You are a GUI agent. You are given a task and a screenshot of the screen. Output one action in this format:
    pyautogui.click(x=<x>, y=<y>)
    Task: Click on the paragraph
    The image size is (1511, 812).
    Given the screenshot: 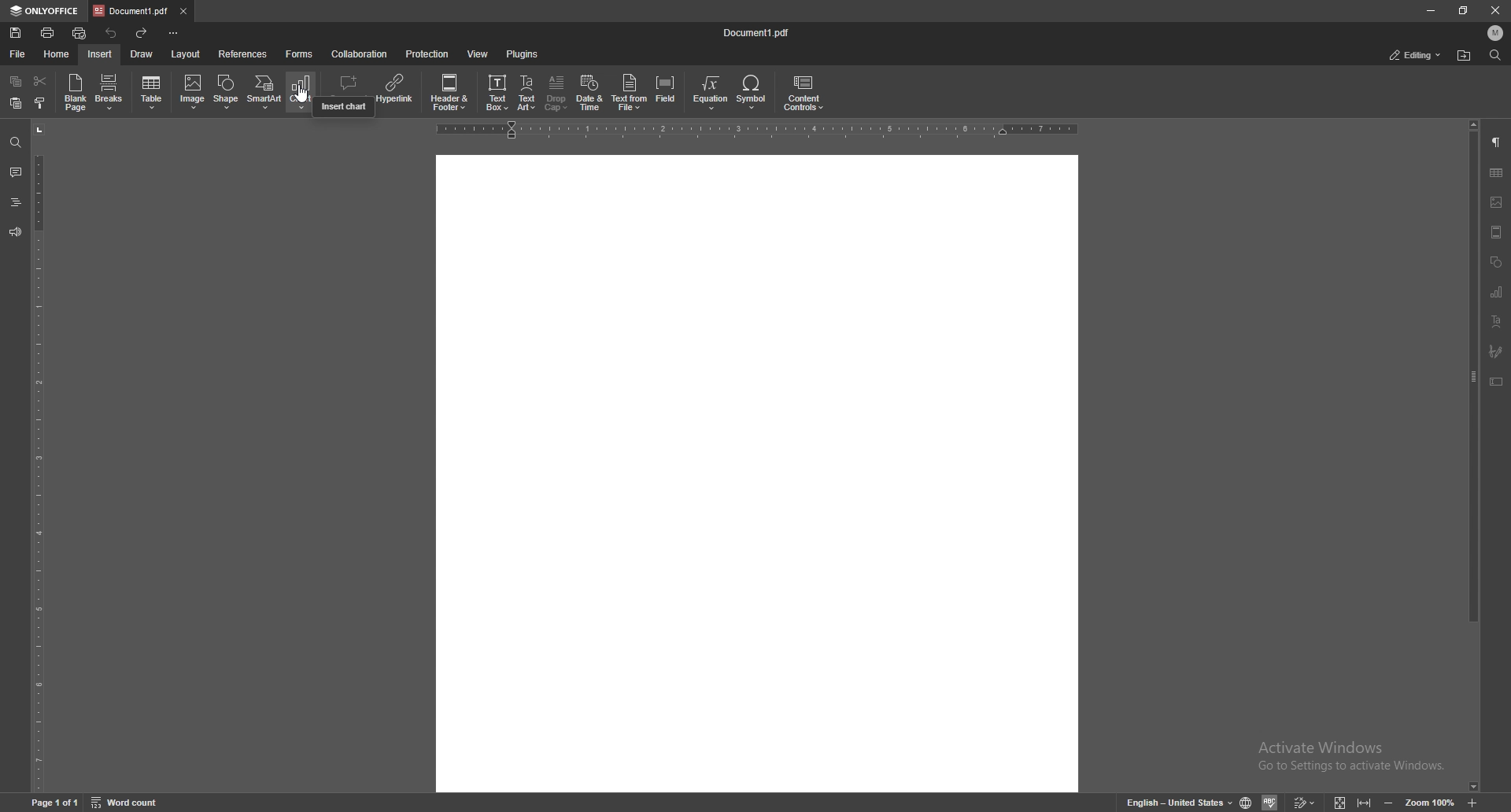 What is the action you would take?
    pyautogui.click(x=1498, y=141)
    